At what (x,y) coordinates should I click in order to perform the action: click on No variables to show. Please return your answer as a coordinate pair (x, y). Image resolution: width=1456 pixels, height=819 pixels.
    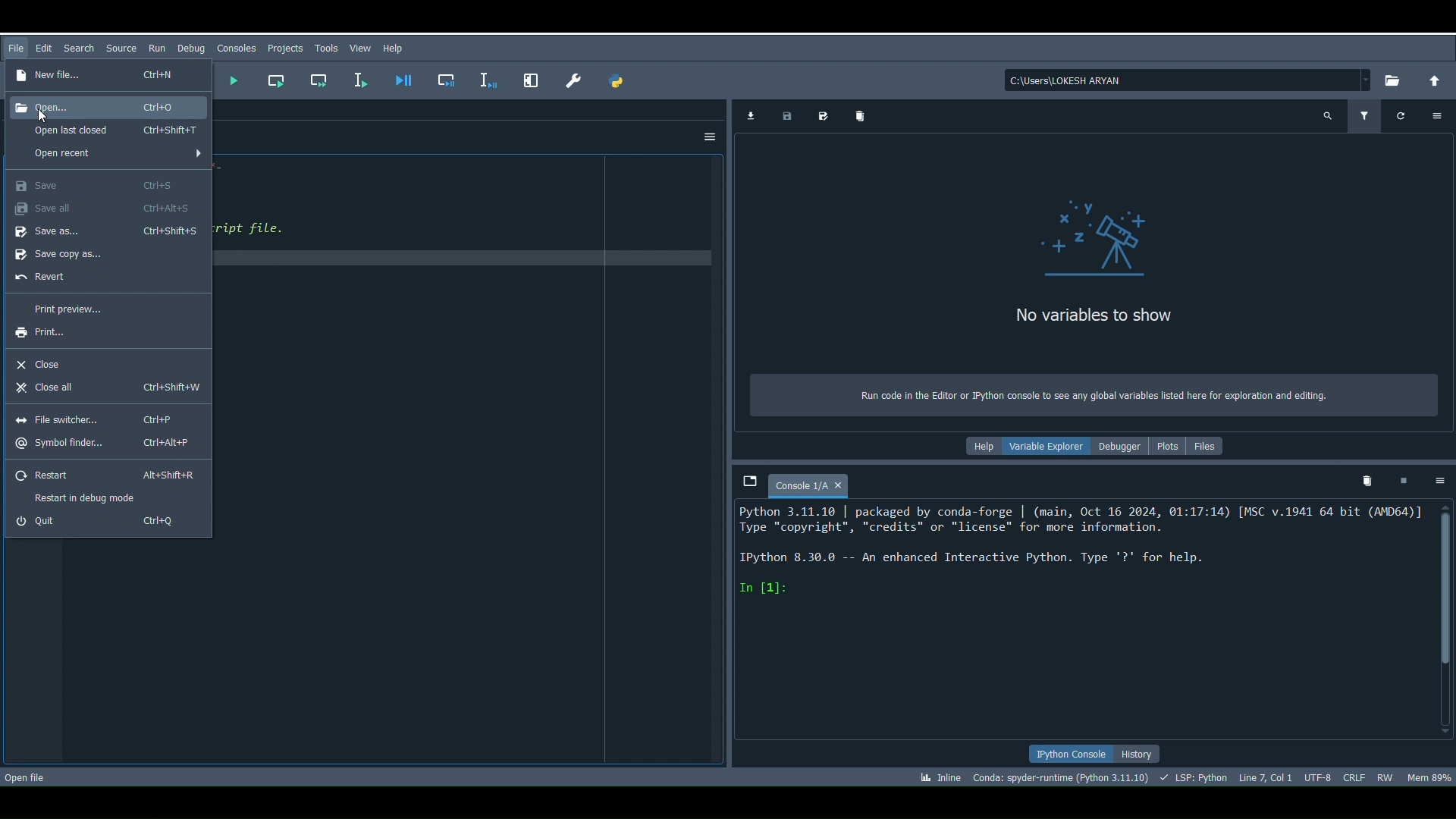
    Looking at the image, I should click on (1084, 266).